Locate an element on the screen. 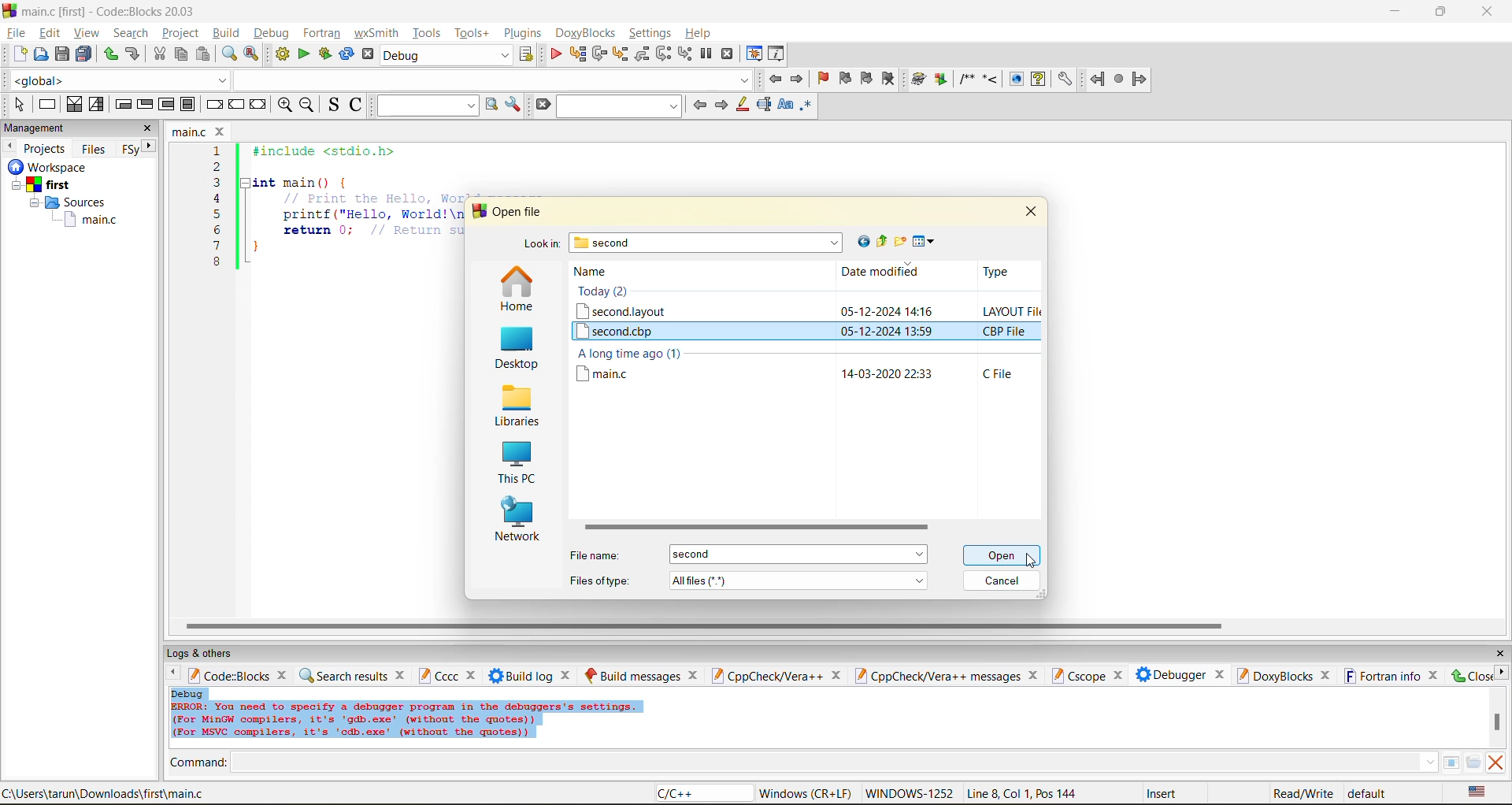 Image resolution: width=1512 pixels, height=805 pixels. step out is located at coordinates (641, 54).